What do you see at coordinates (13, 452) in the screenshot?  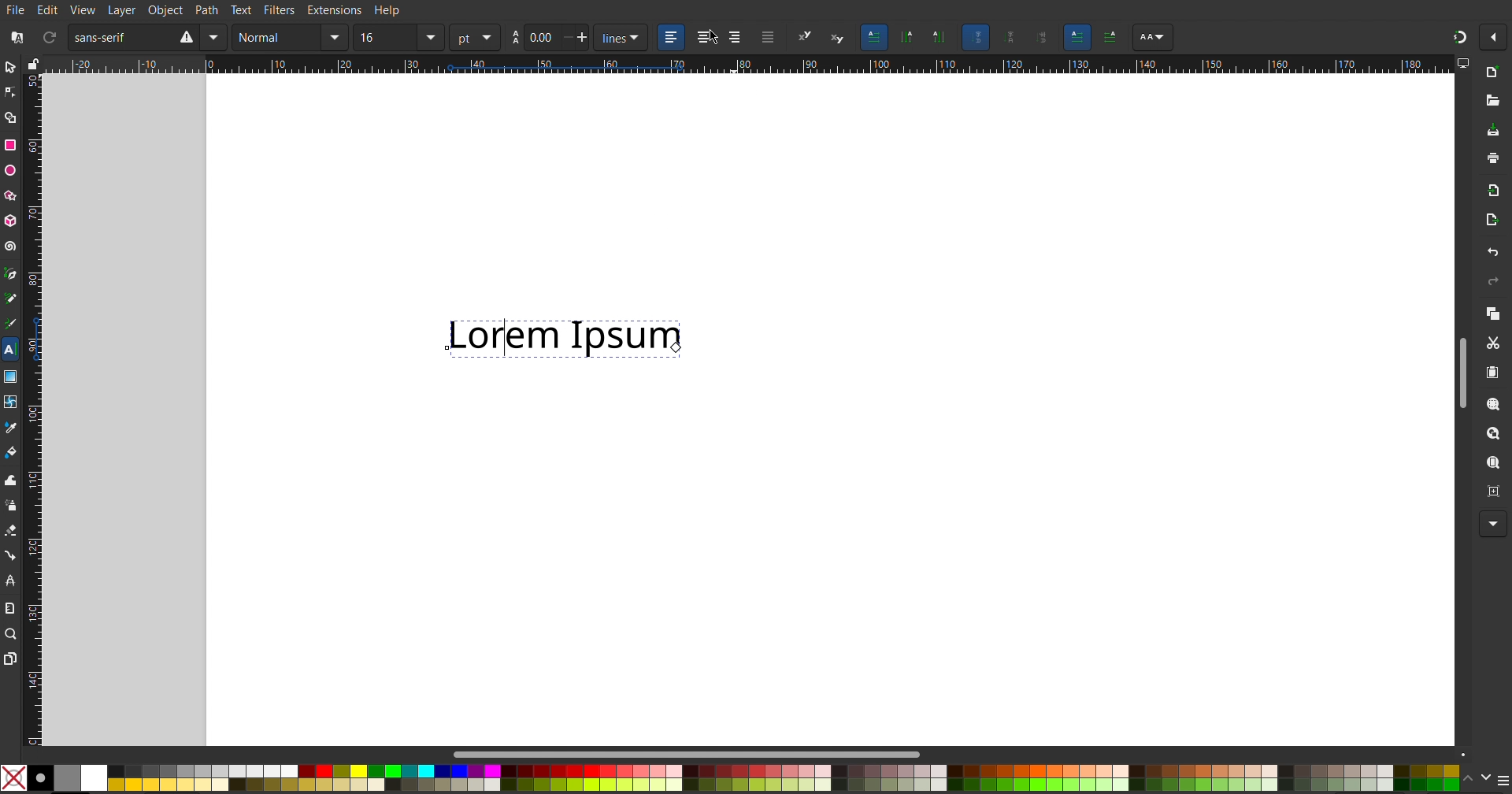 I see `Fill Color` at bounding box center [13, 452].